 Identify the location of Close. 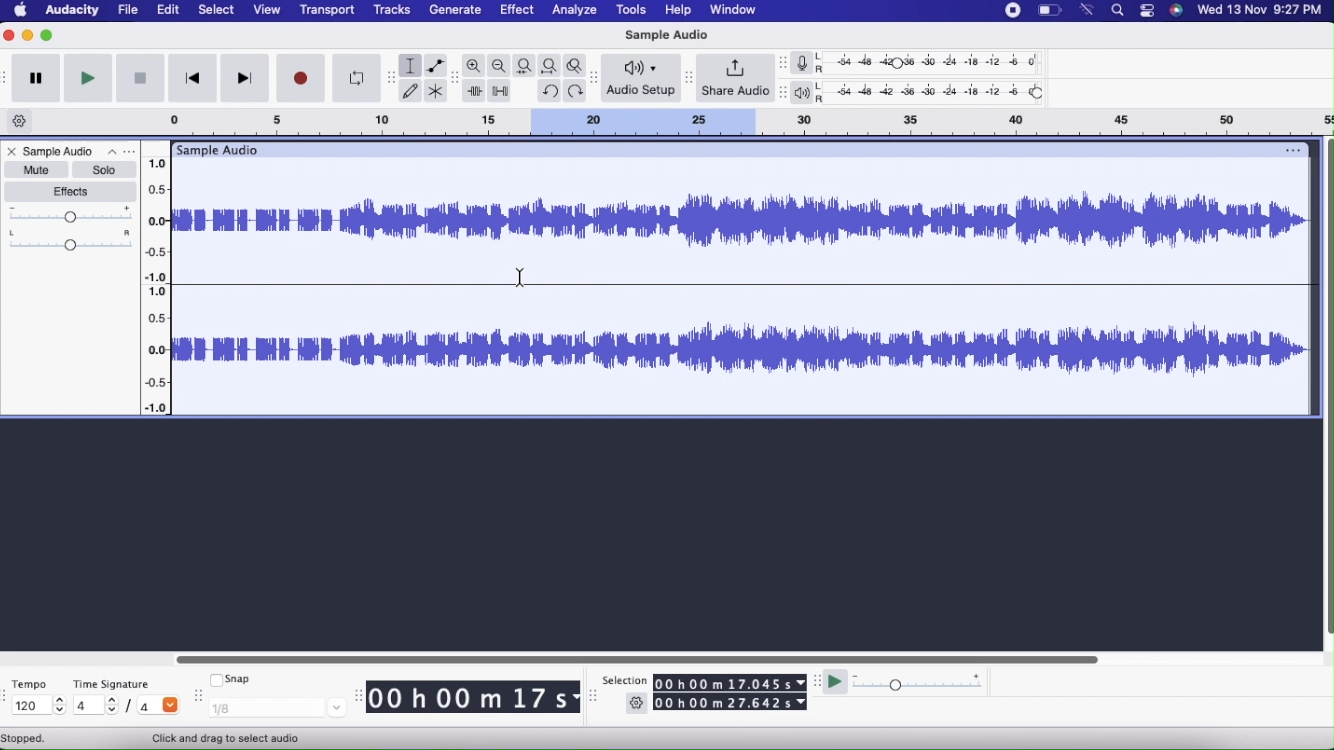
(11, 153).